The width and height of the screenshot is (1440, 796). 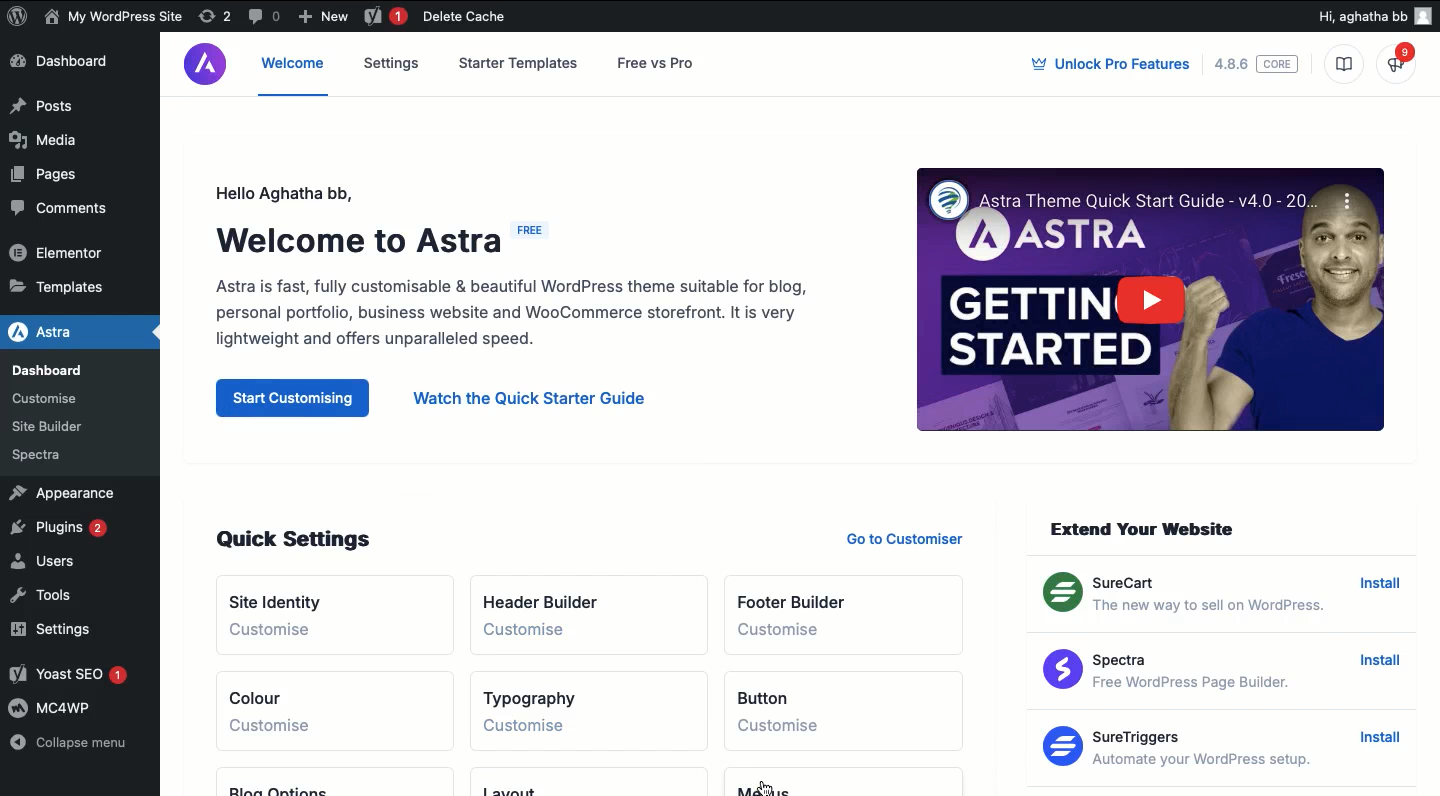 What do you see at coordinates (54, 423) in the screenshot?
I see `Site Builder` at bounding box center [54, 423].